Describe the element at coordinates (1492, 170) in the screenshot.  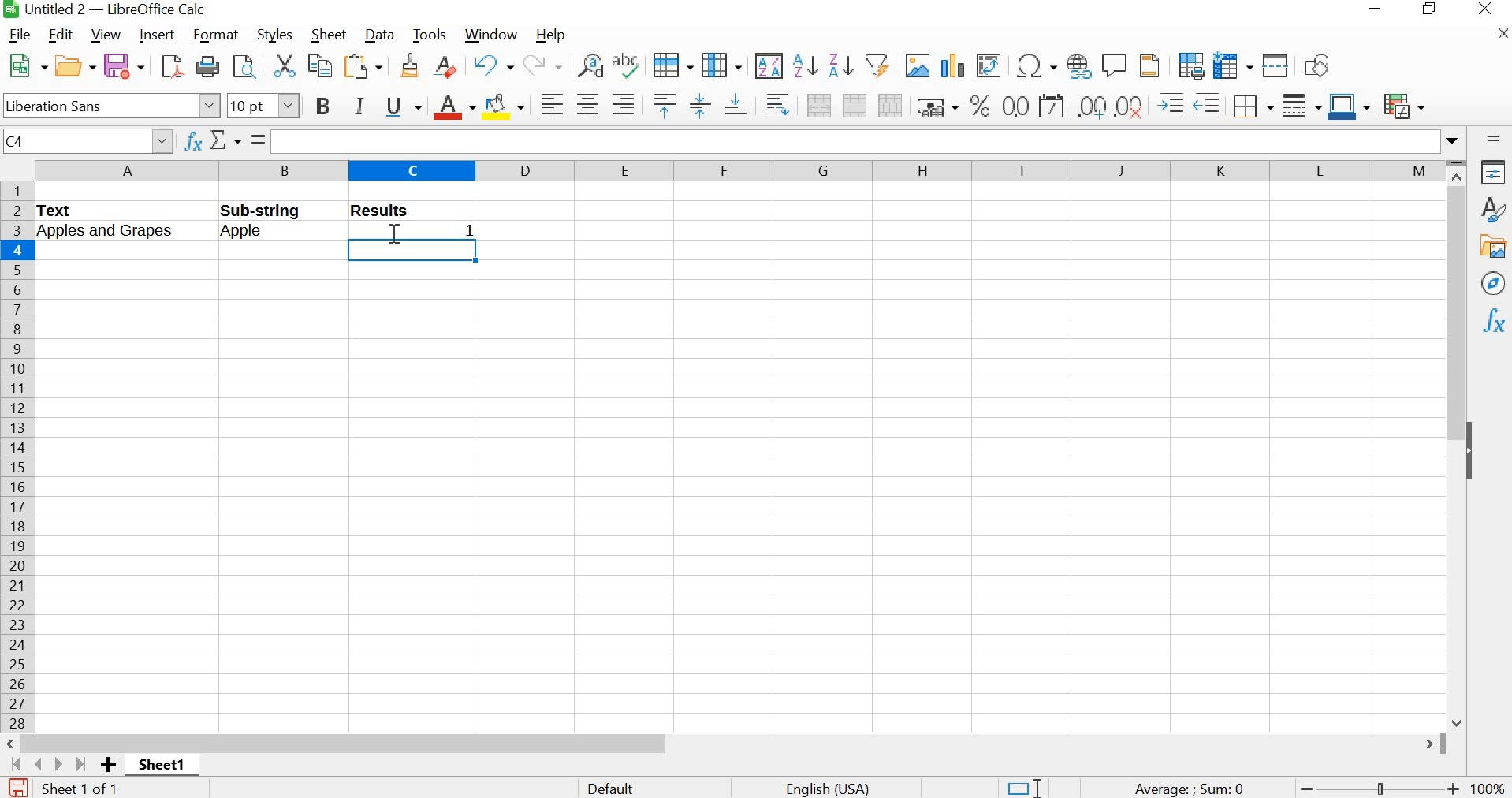
I see `properties` at that location.